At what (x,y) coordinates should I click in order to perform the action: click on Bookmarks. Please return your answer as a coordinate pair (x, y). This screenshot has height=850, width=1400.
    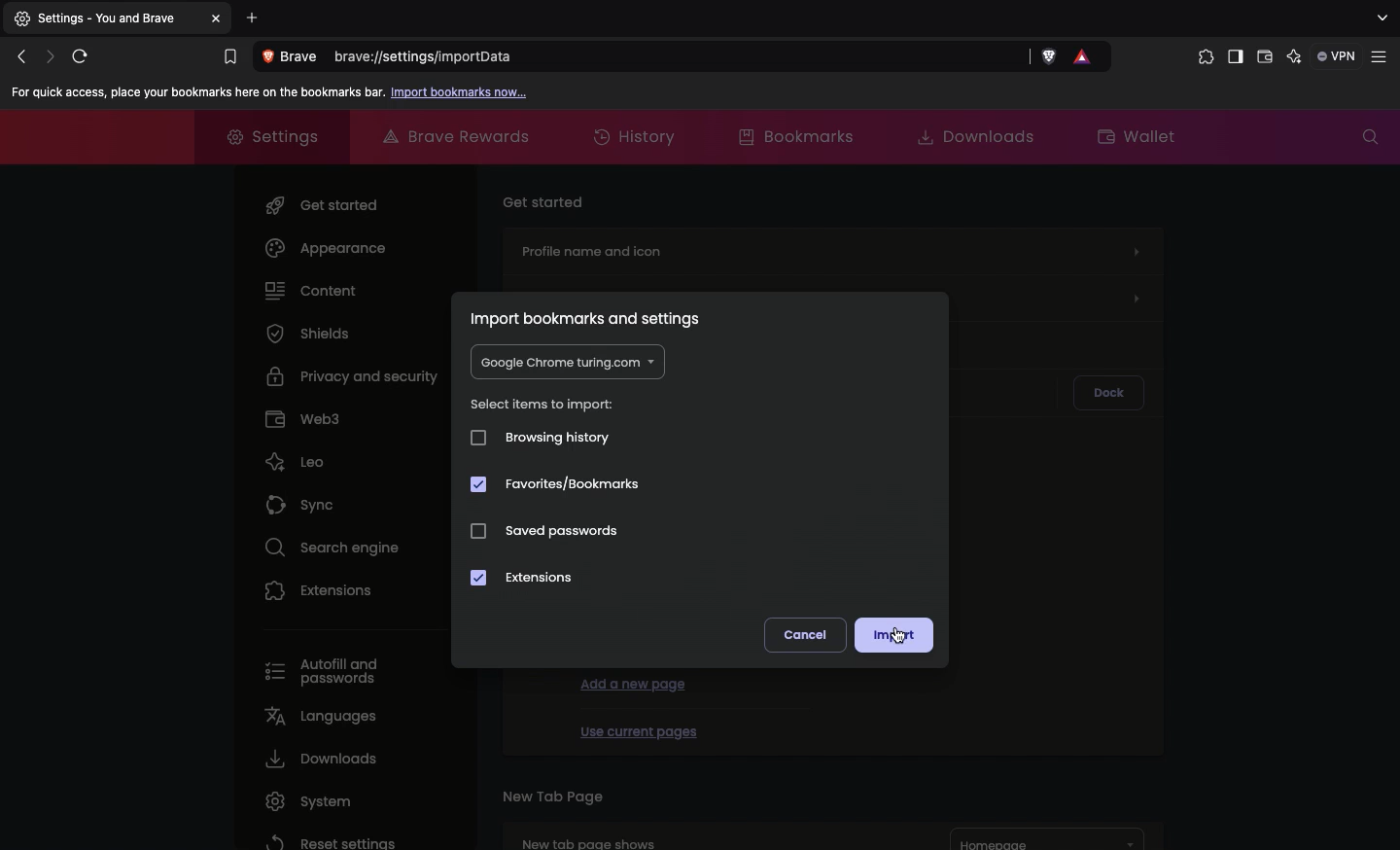
    Looking at the image, I should click on (793, 135).